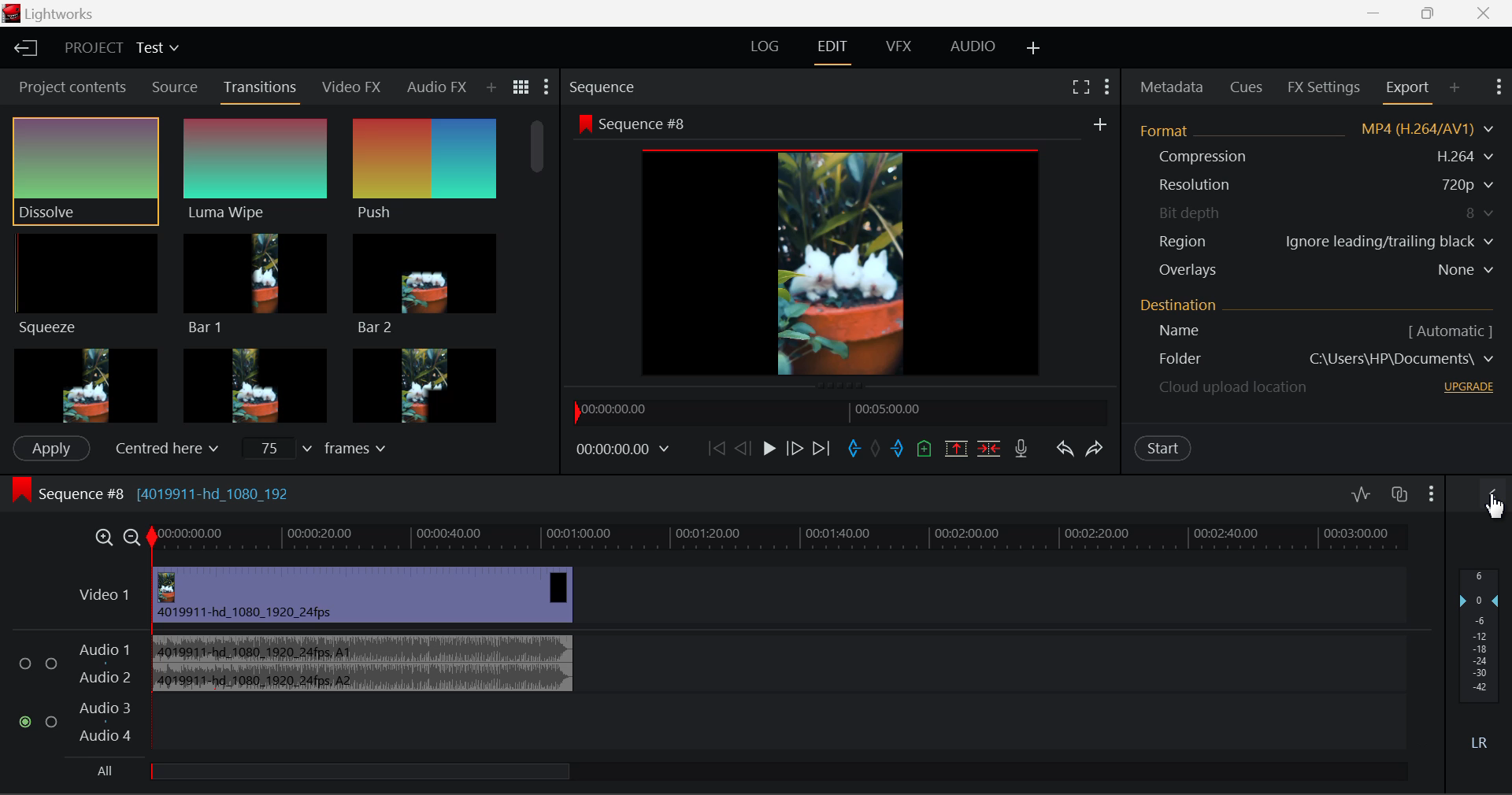 The height and width of the screenshot is (795, 1512). What do you see at coordinates (778, 539) in the screenshot?
I see `Timeline Track` at bounding box center [778, 539].